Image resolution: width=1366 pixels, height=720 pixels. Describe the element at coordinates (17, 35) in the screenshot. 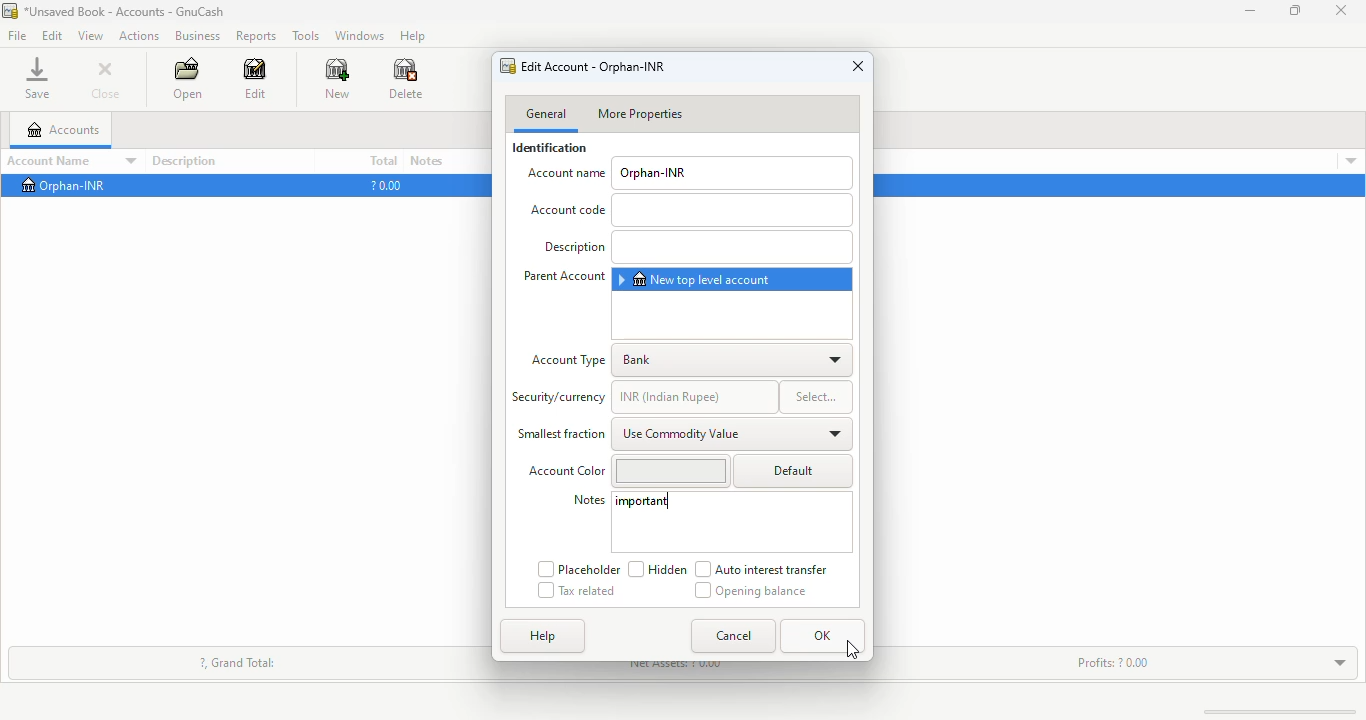

I see `file` at that location.